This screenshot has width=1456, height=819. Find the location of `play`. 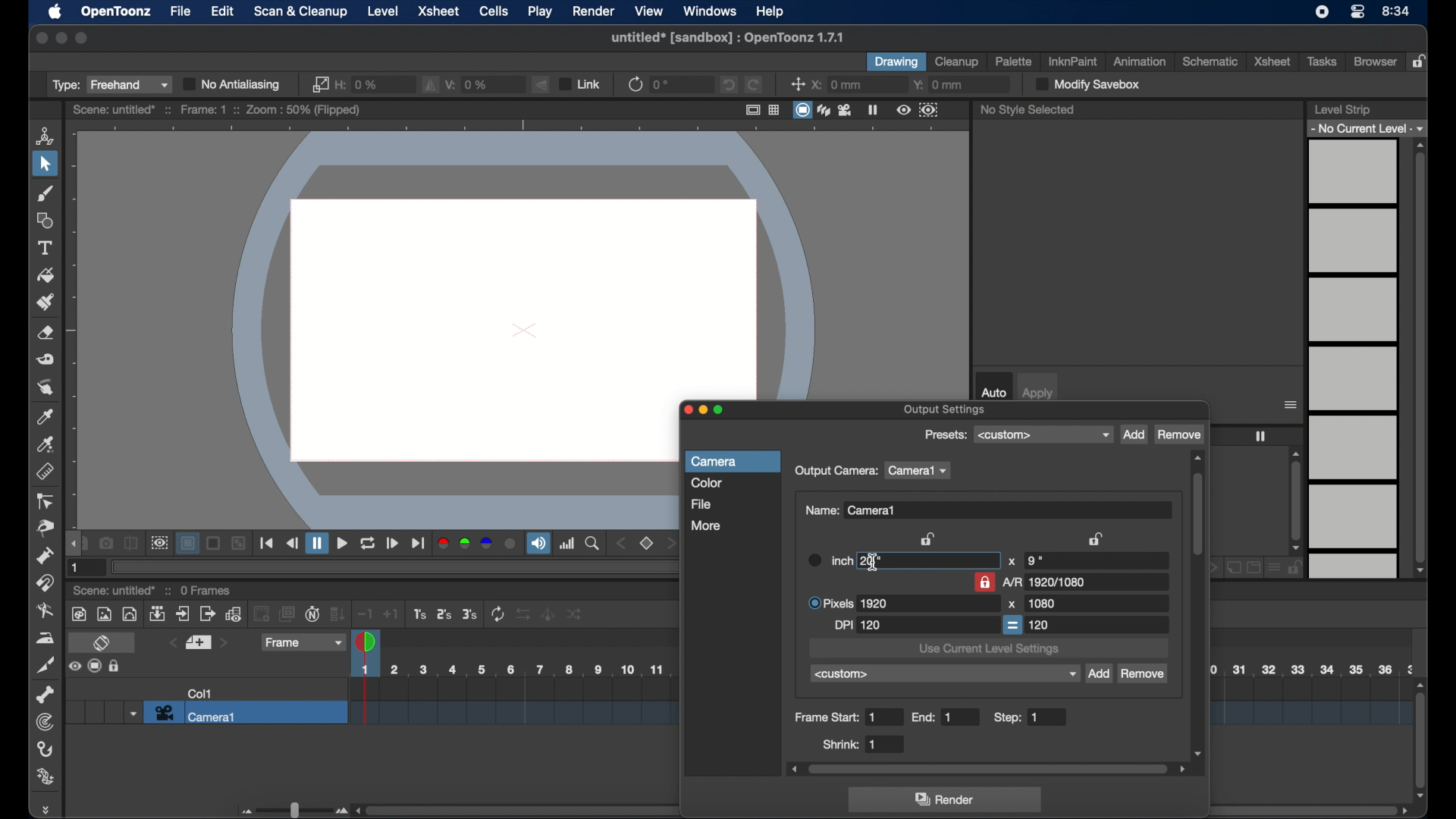

play is located at coordinates (541, 12).